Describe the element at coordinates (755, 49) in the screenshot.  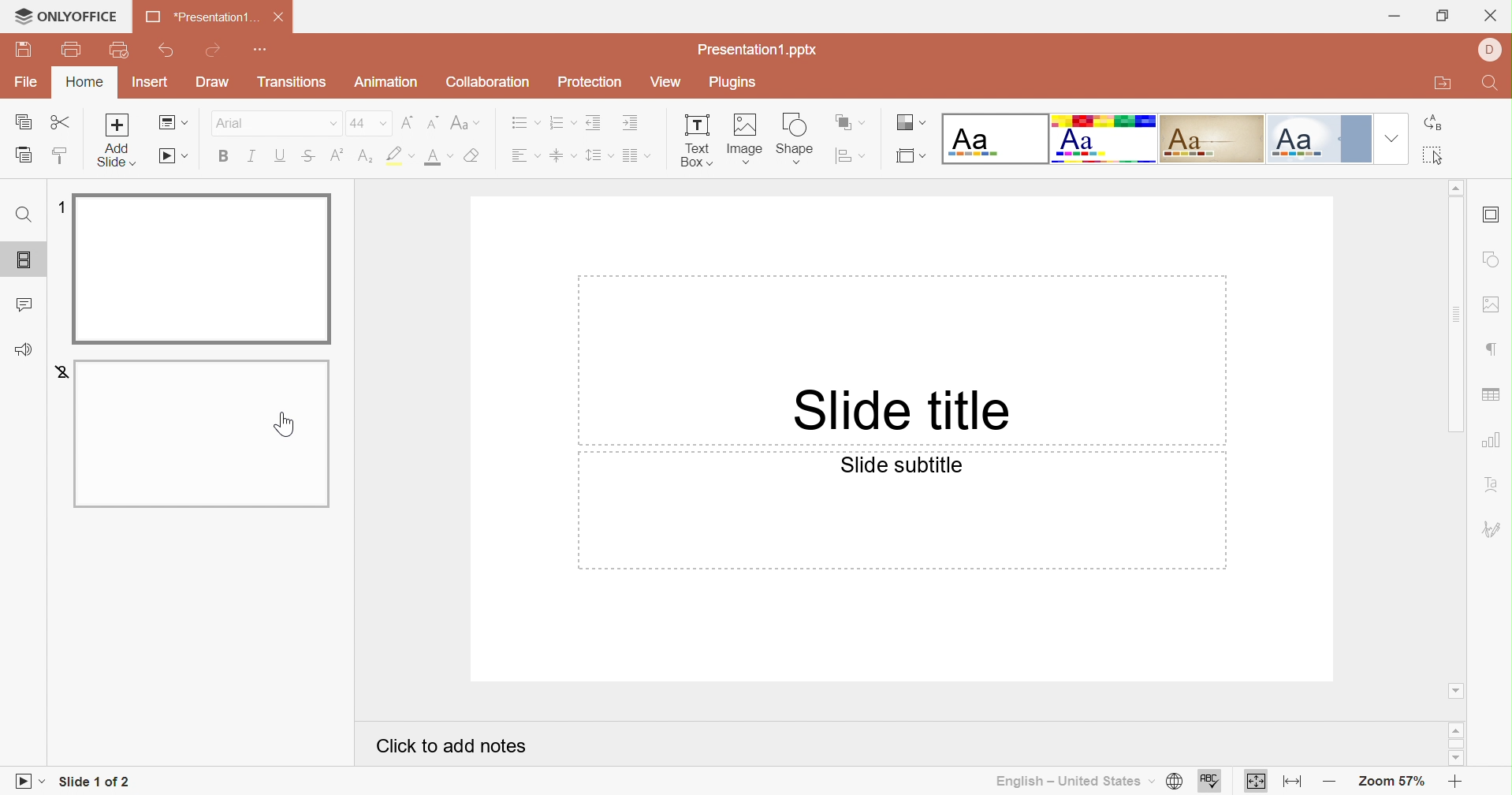
I see `Presentation1.pptx` at that location.